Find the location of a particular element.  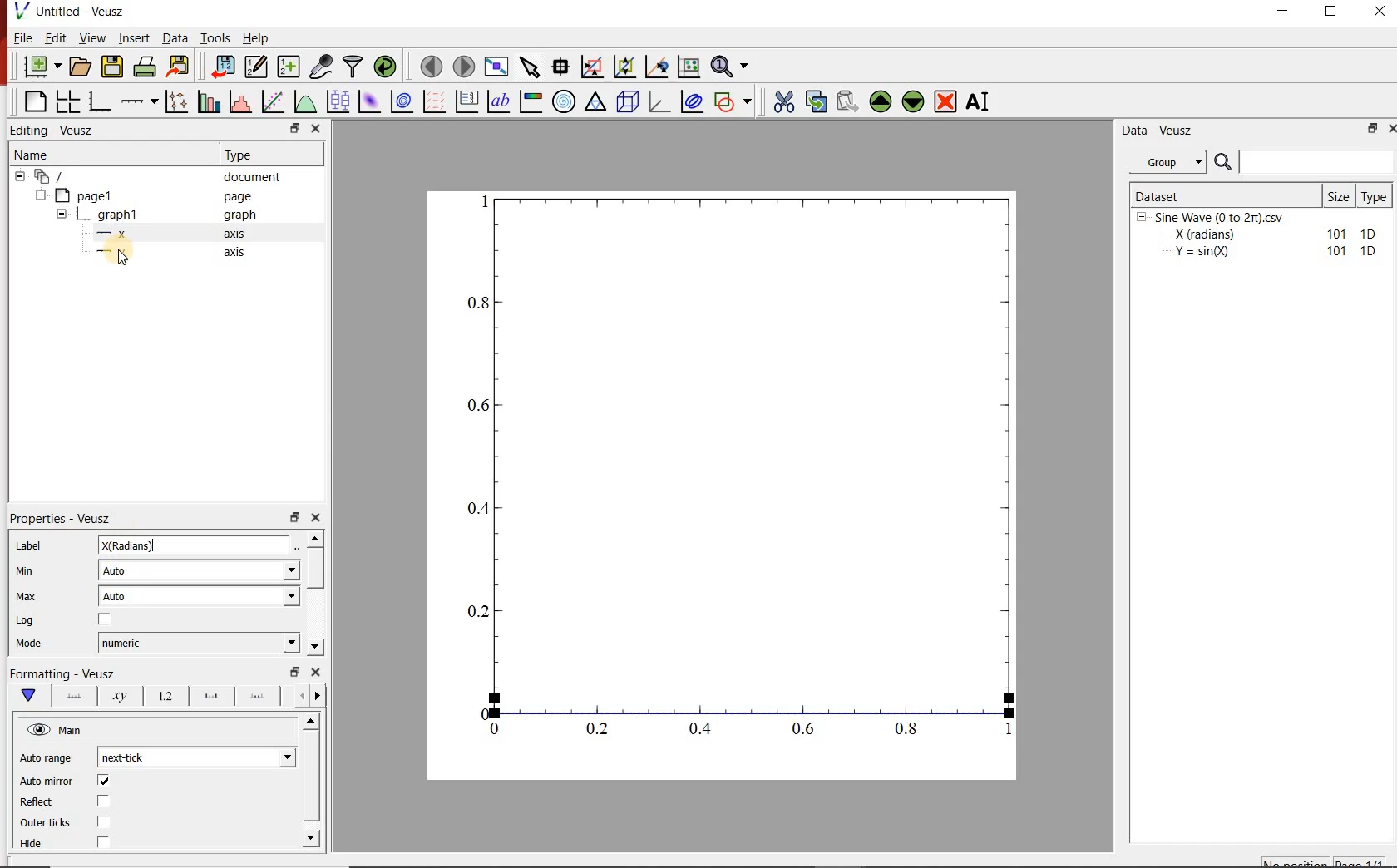

Dataset is located at coordinates (1224, 195).